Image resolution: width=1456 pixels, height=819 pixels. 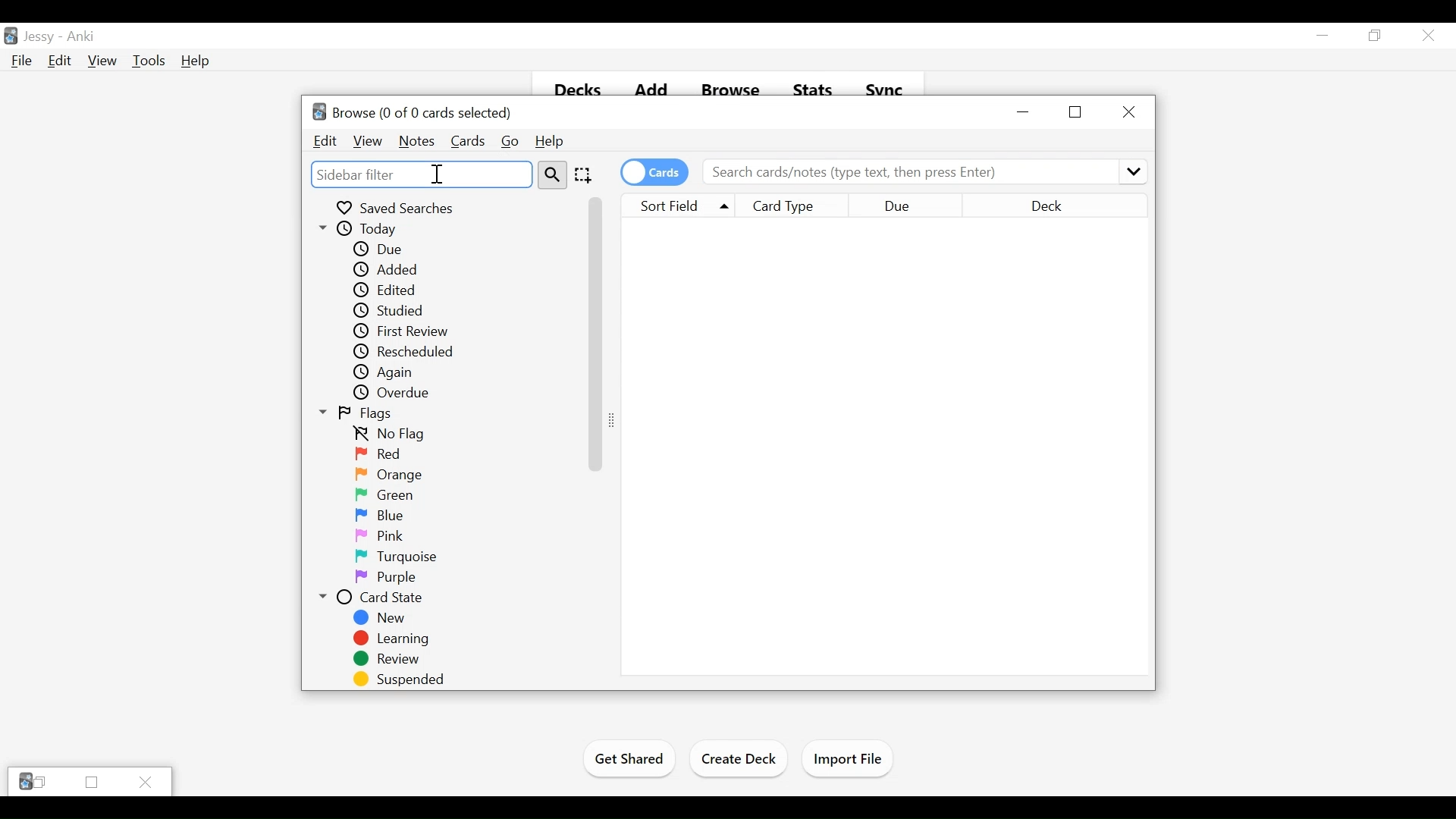 I want to click on Import Files, so click(x=848, y=760).